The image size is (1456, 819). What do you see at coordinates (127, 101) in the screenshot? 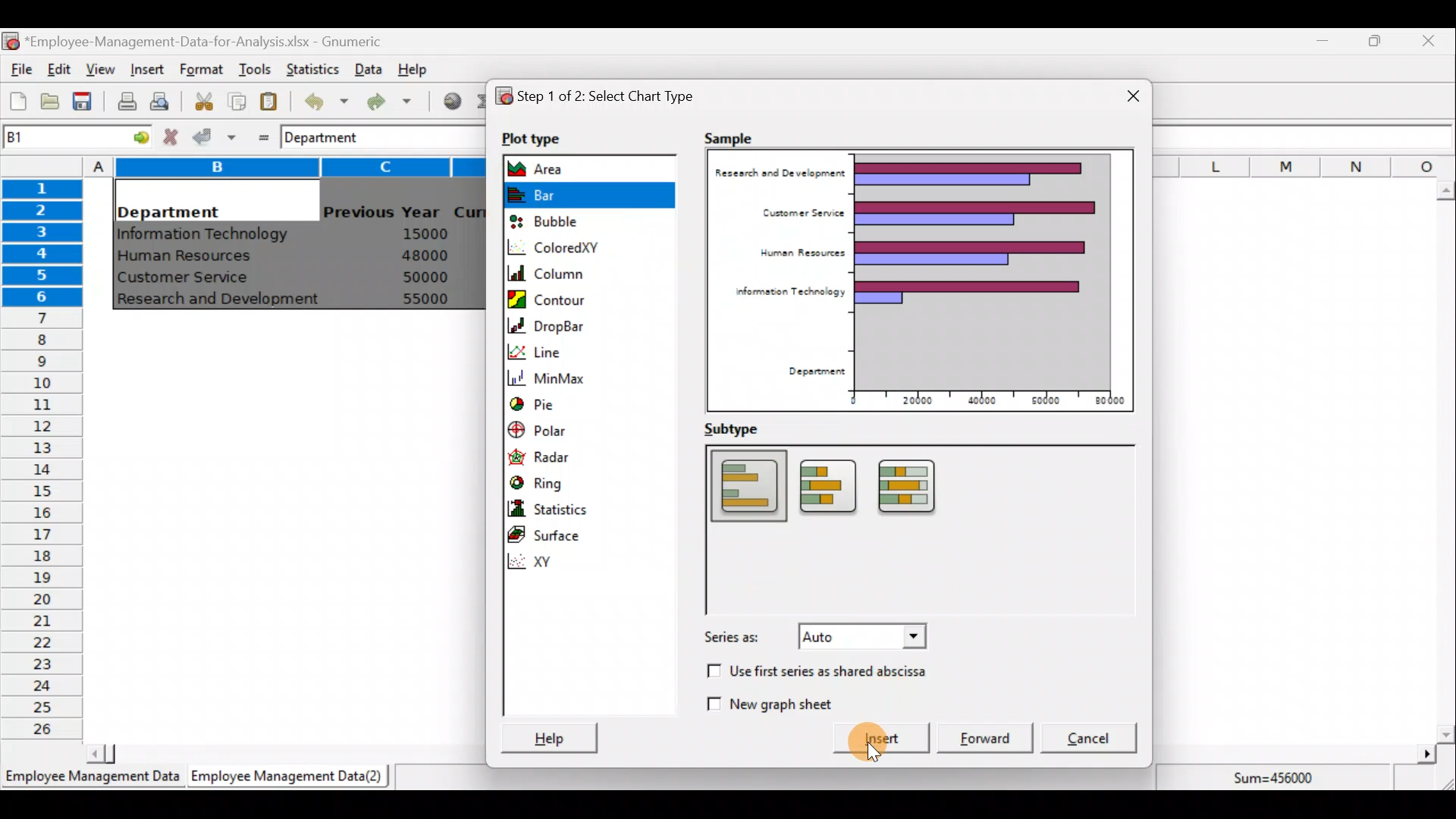
I see `Print current file` at bounding box center [127, 101].